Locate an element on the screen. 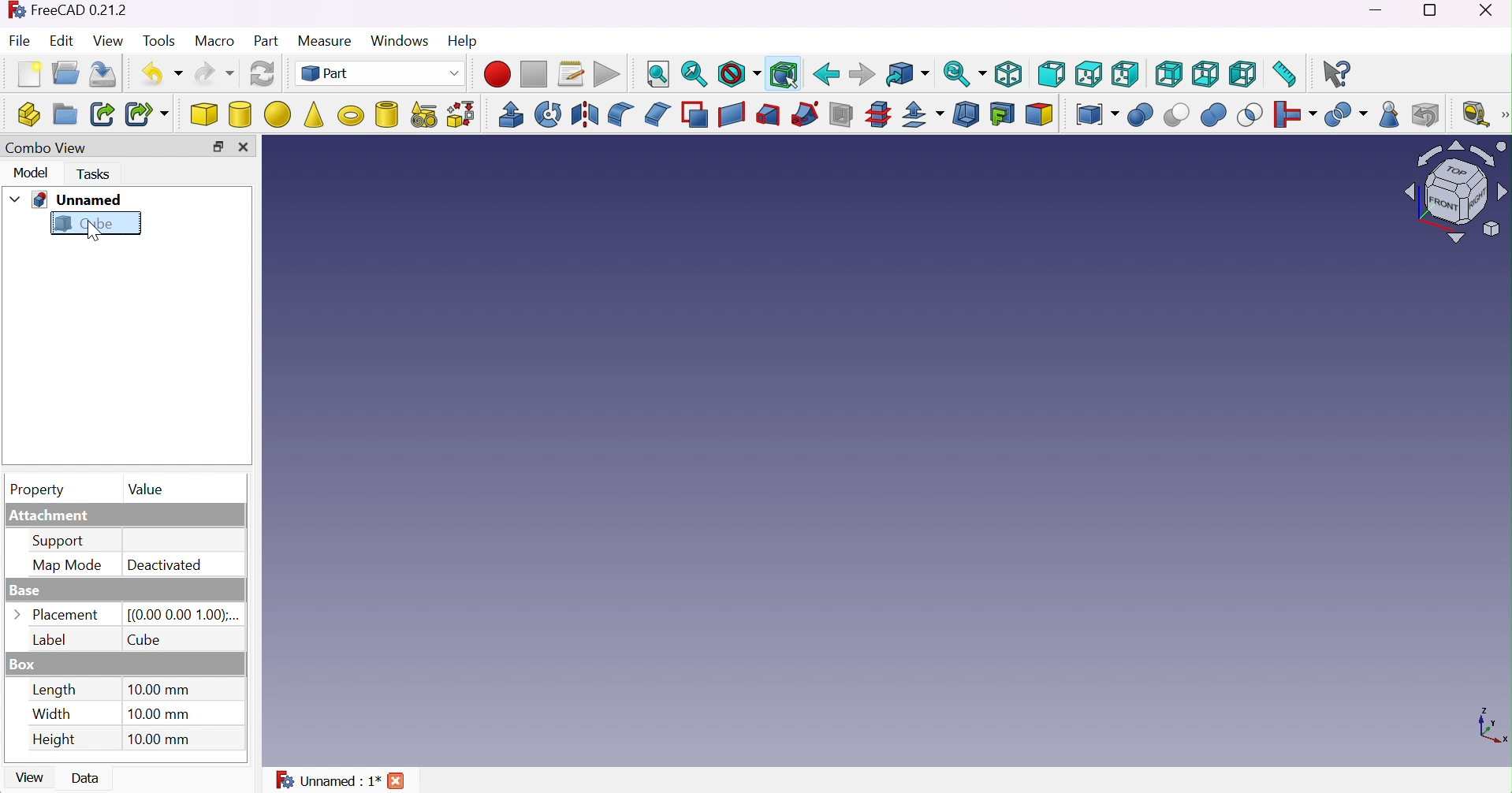  Placement is located at coordinates (67, 614).